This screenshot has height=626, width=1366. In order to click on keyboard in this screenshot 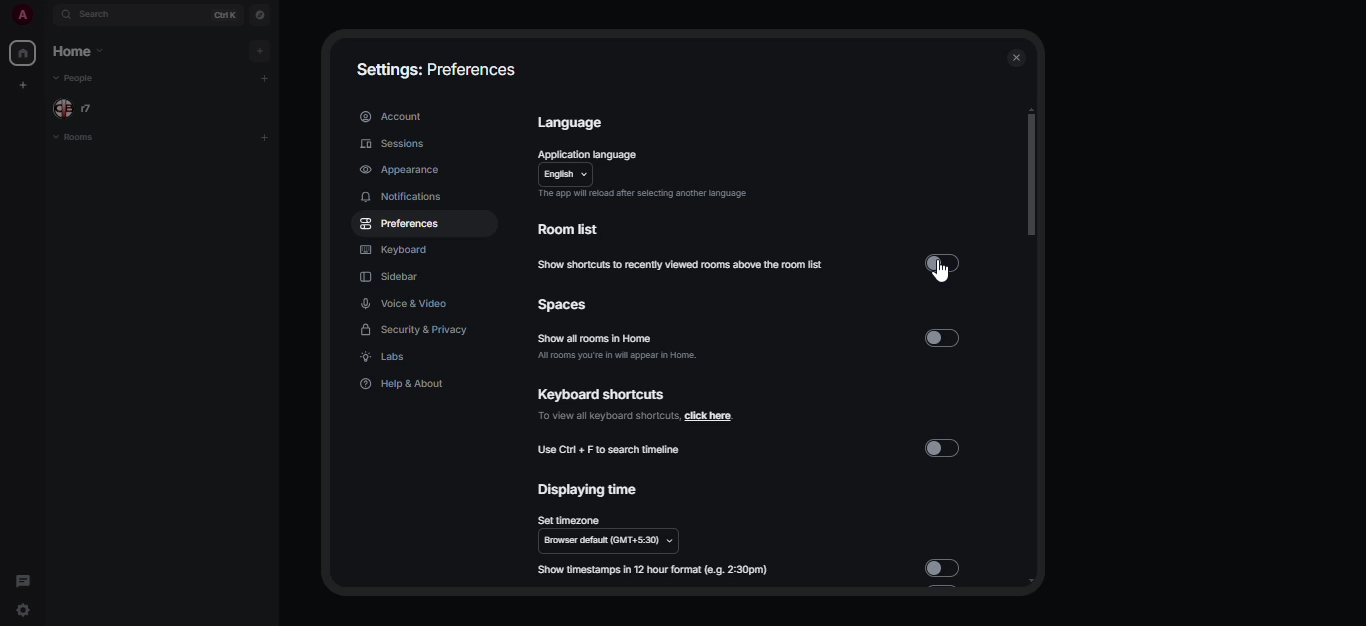, I will do `click(393, 248)`.